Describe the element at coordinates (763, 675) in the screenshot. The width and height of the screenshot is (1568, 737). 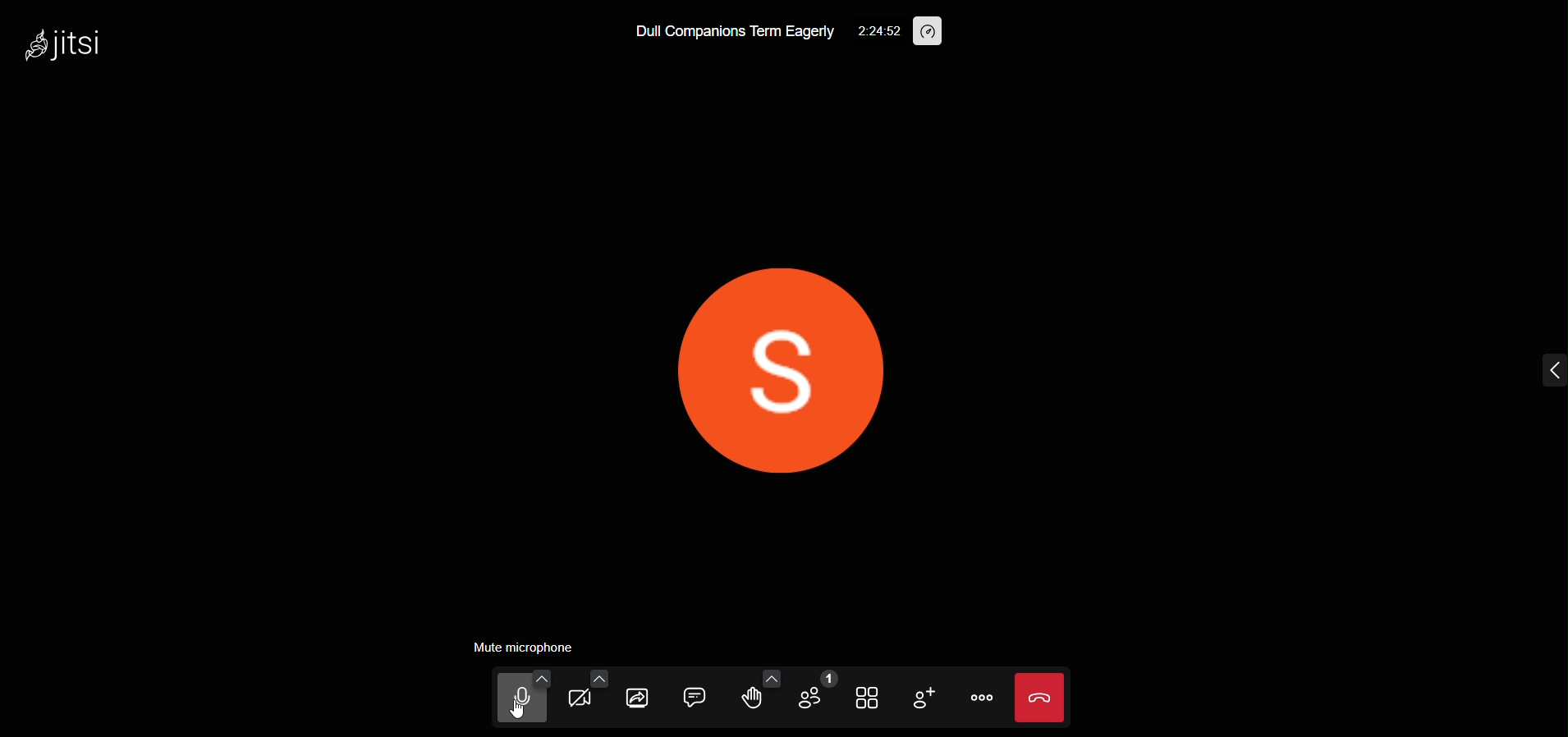
I see `more emoji` at that location.